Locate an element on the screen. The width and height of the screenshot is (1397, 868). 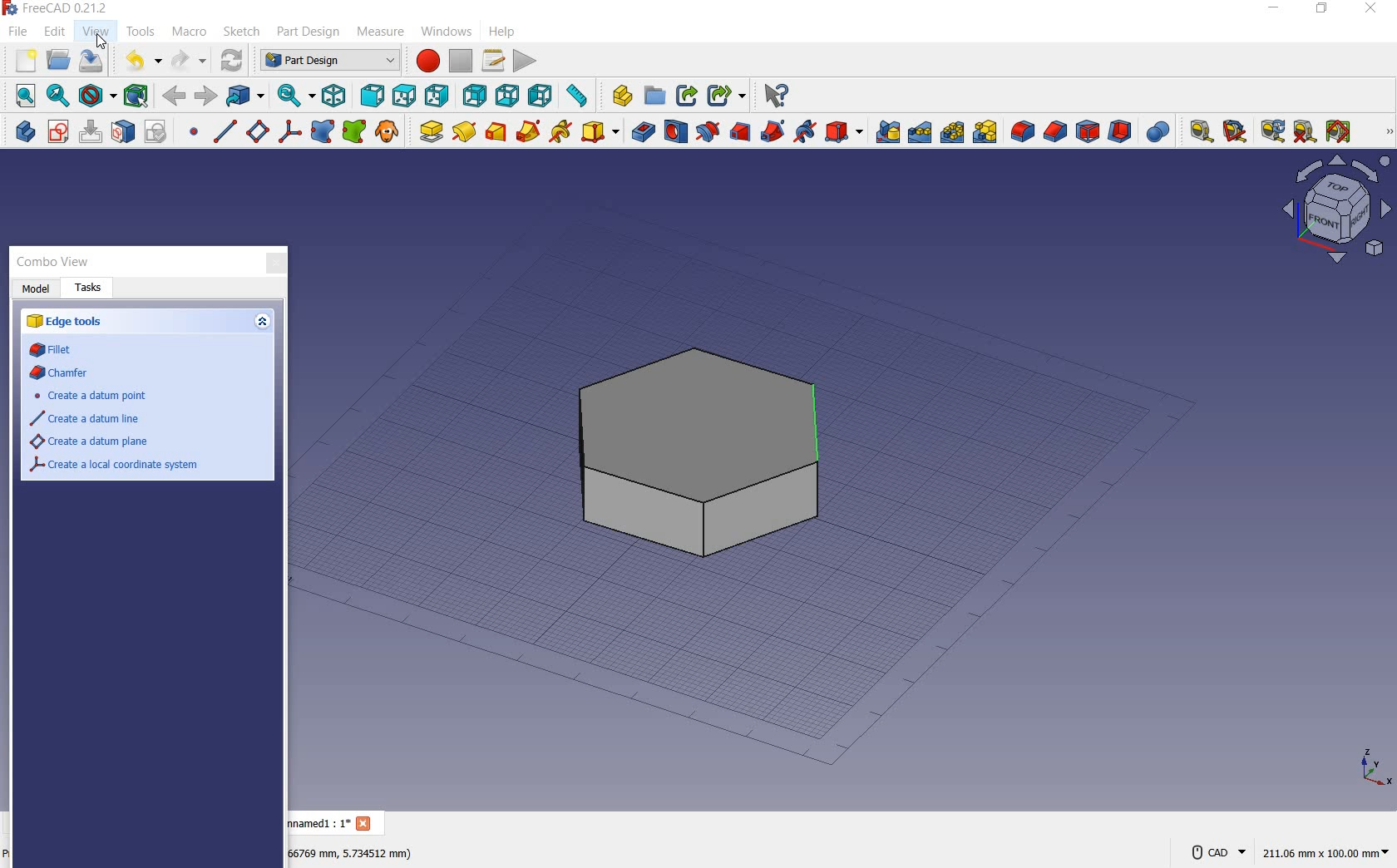
left is located at coordinates (542, 96).